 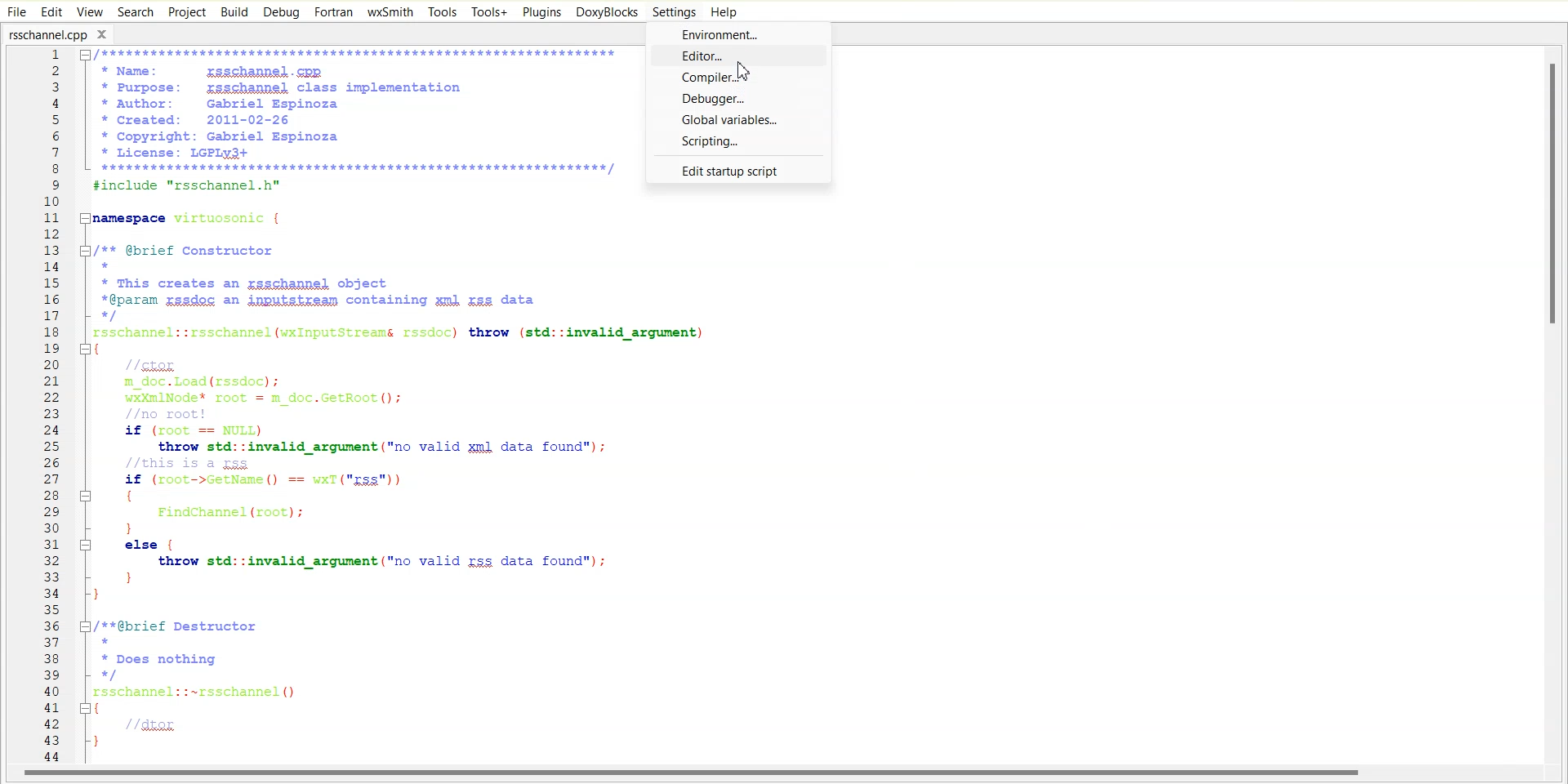 I want to click on Edit, so click(x=52, y=11).